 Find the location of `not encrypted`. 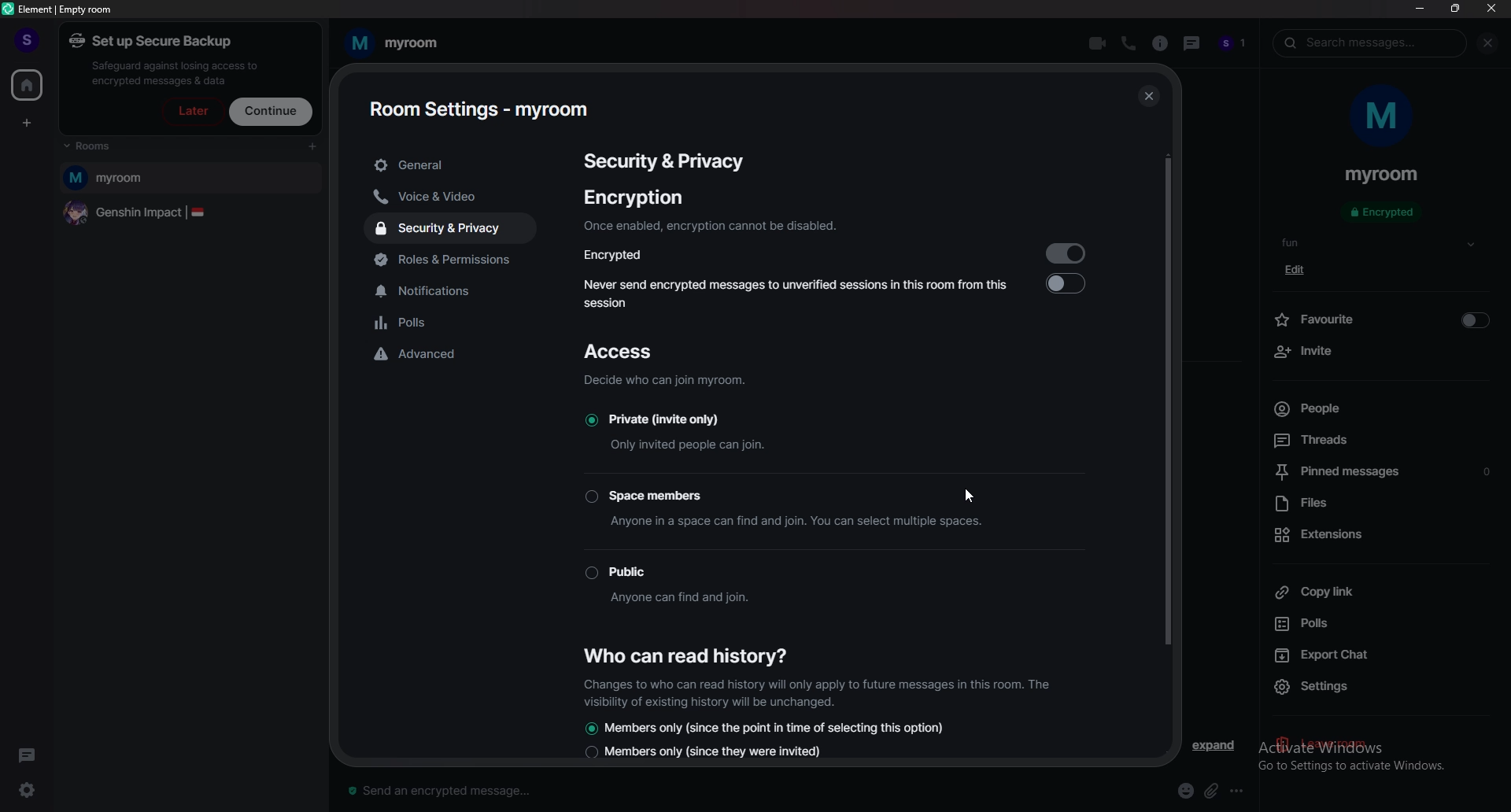

not encrypted is located at coordinates (1382, 212).